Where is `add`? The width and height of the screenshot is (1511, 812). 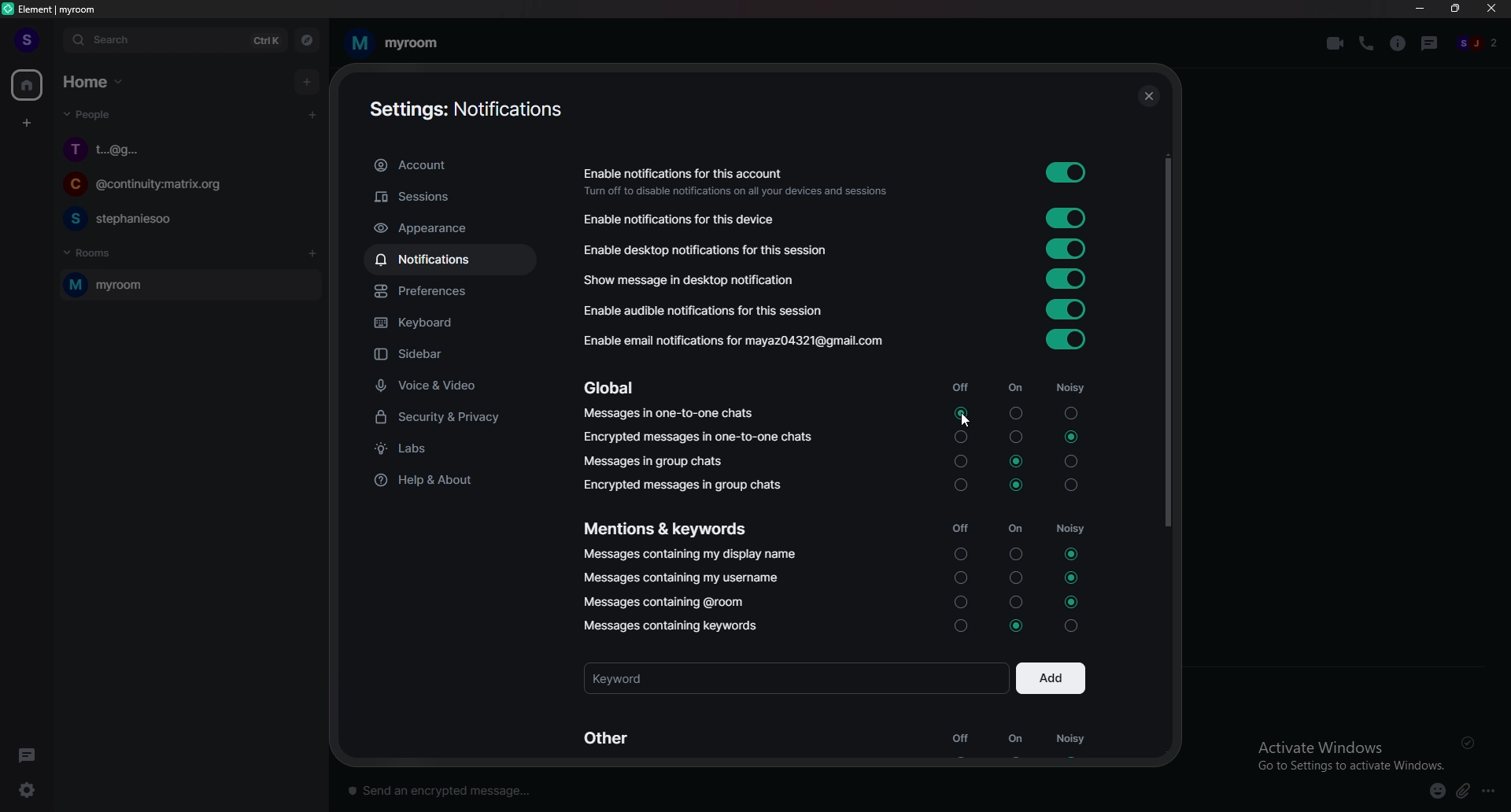
add is located at coordinates (305, 83).